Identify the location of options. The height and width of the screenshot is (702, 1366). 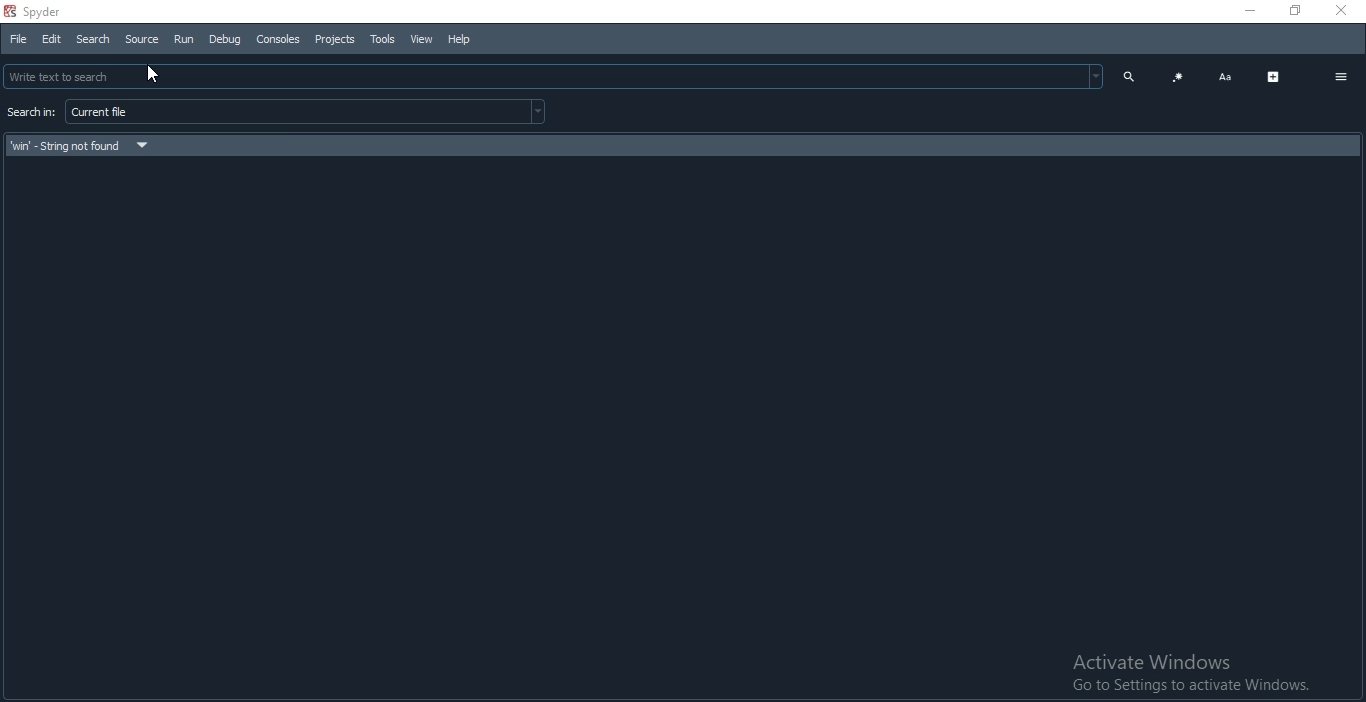
(1341, 76).